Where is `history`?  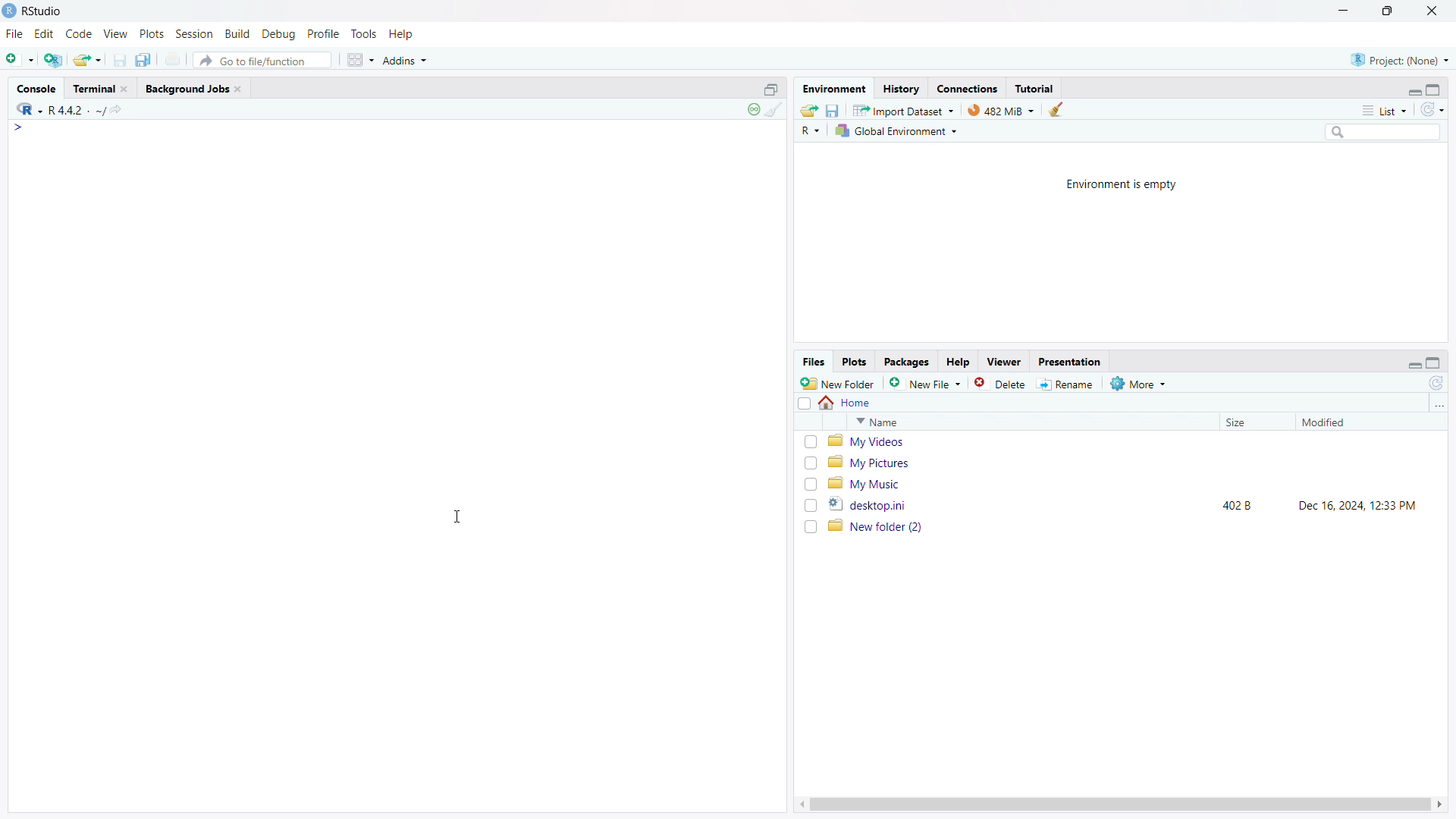
history is located at coordinates (901, 88).